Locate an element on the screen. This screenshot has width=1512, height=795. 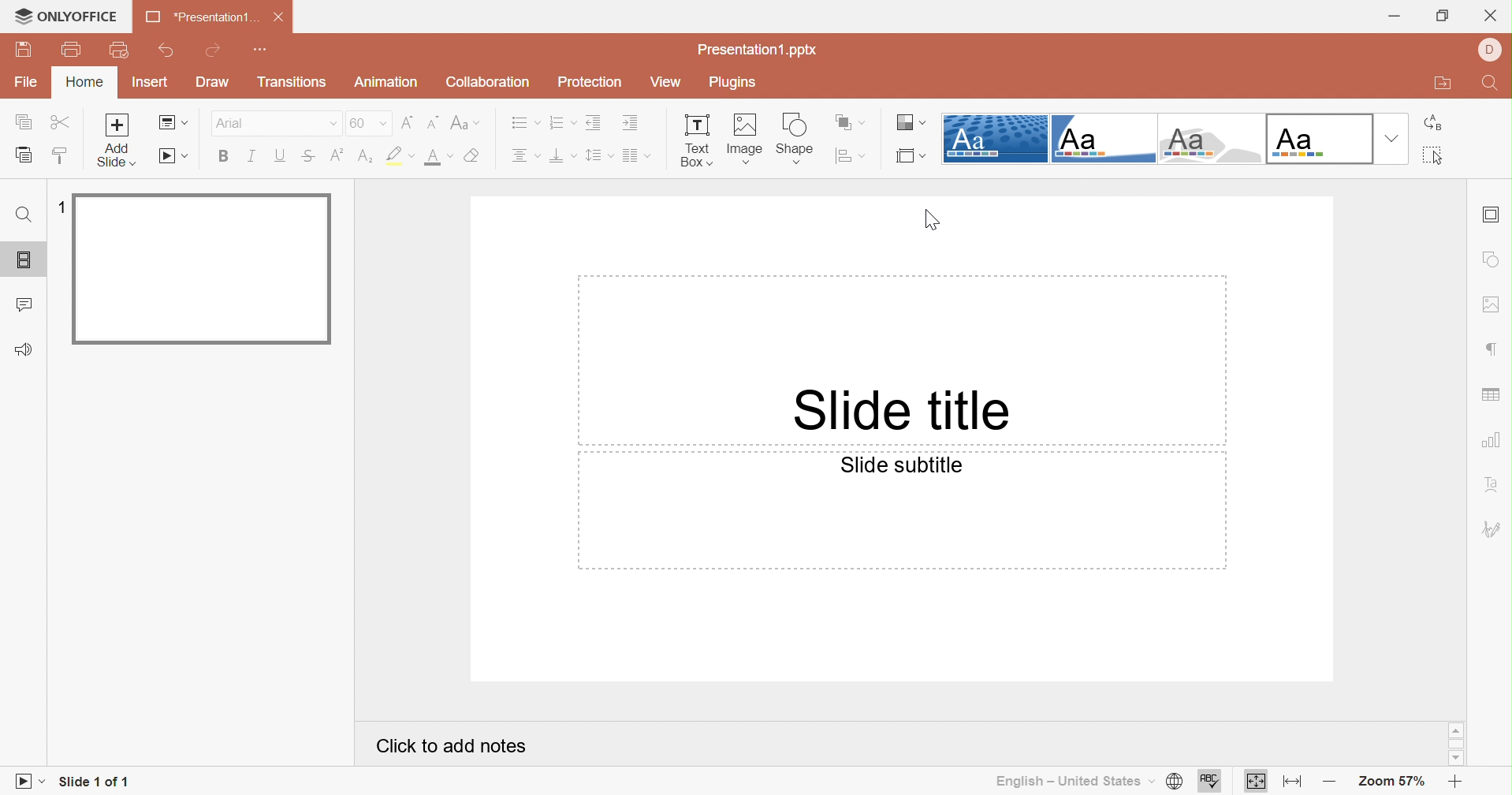
Cut is located at coordinates (58, 121).